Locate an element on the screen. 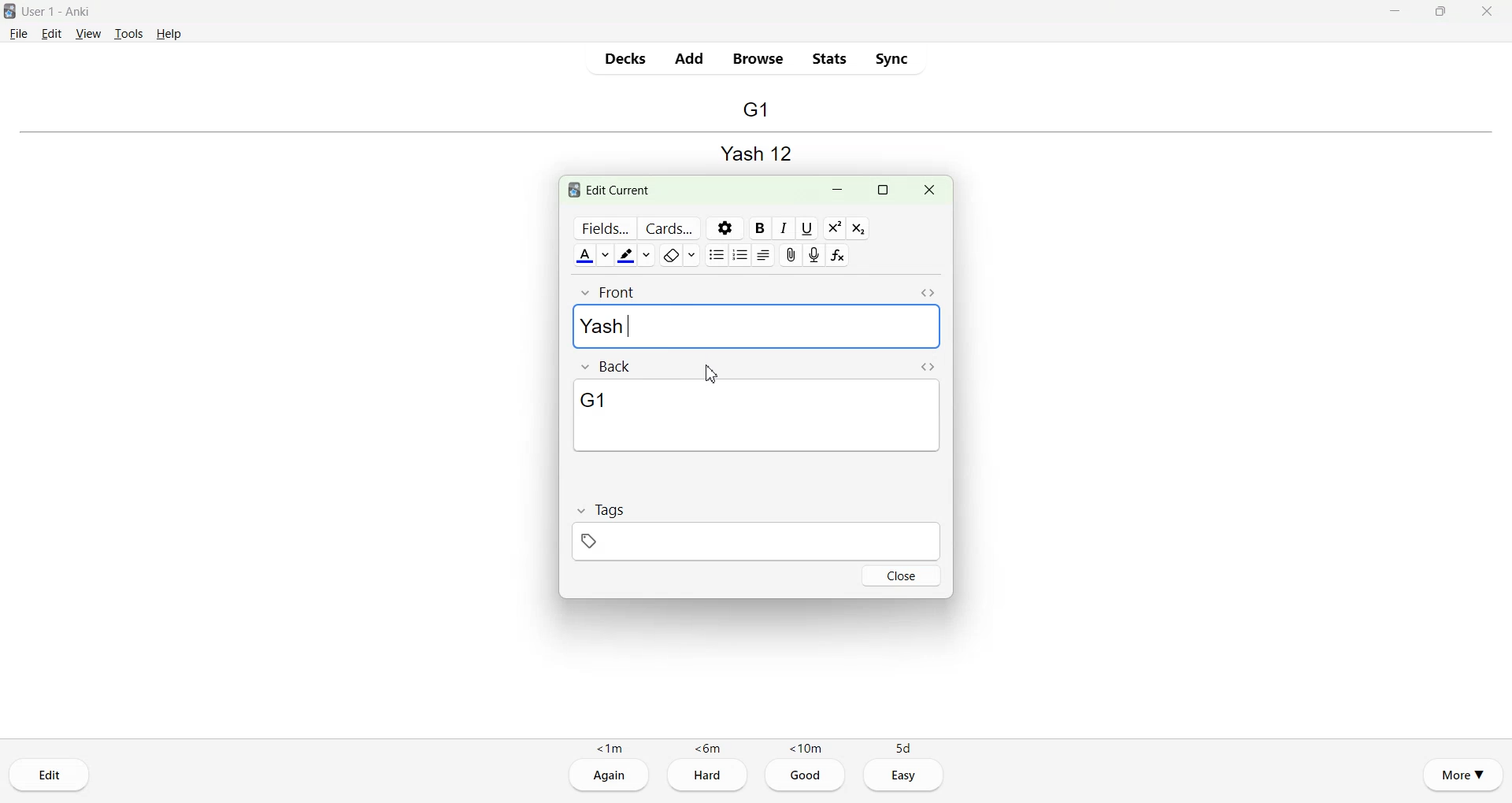 Image resolution: width=1512 pixels, height=803 pixels. Unordered list is located at coordinates (717, 254).